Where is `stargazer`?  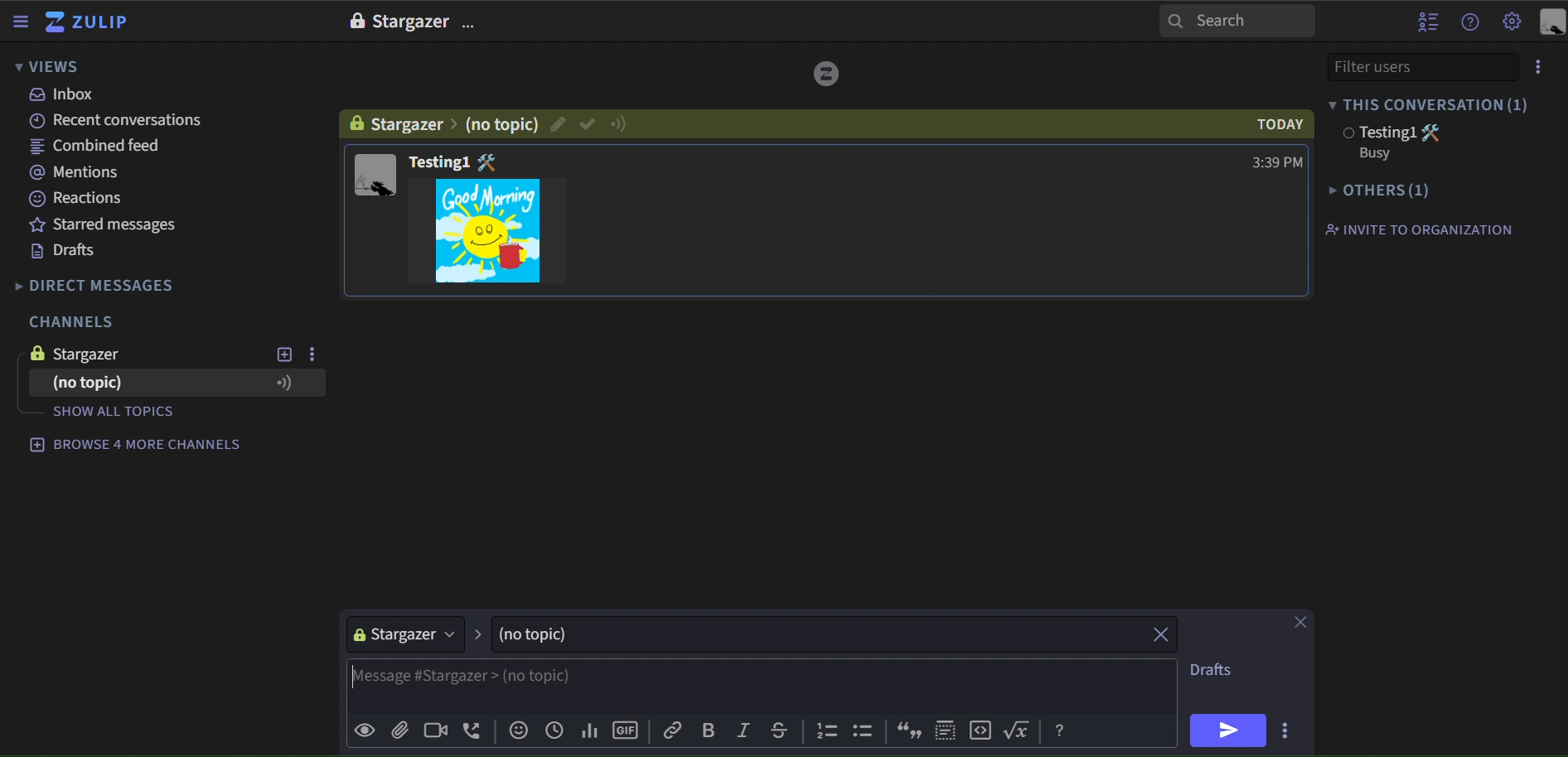 stargazer is located at coordinates (404, 634).